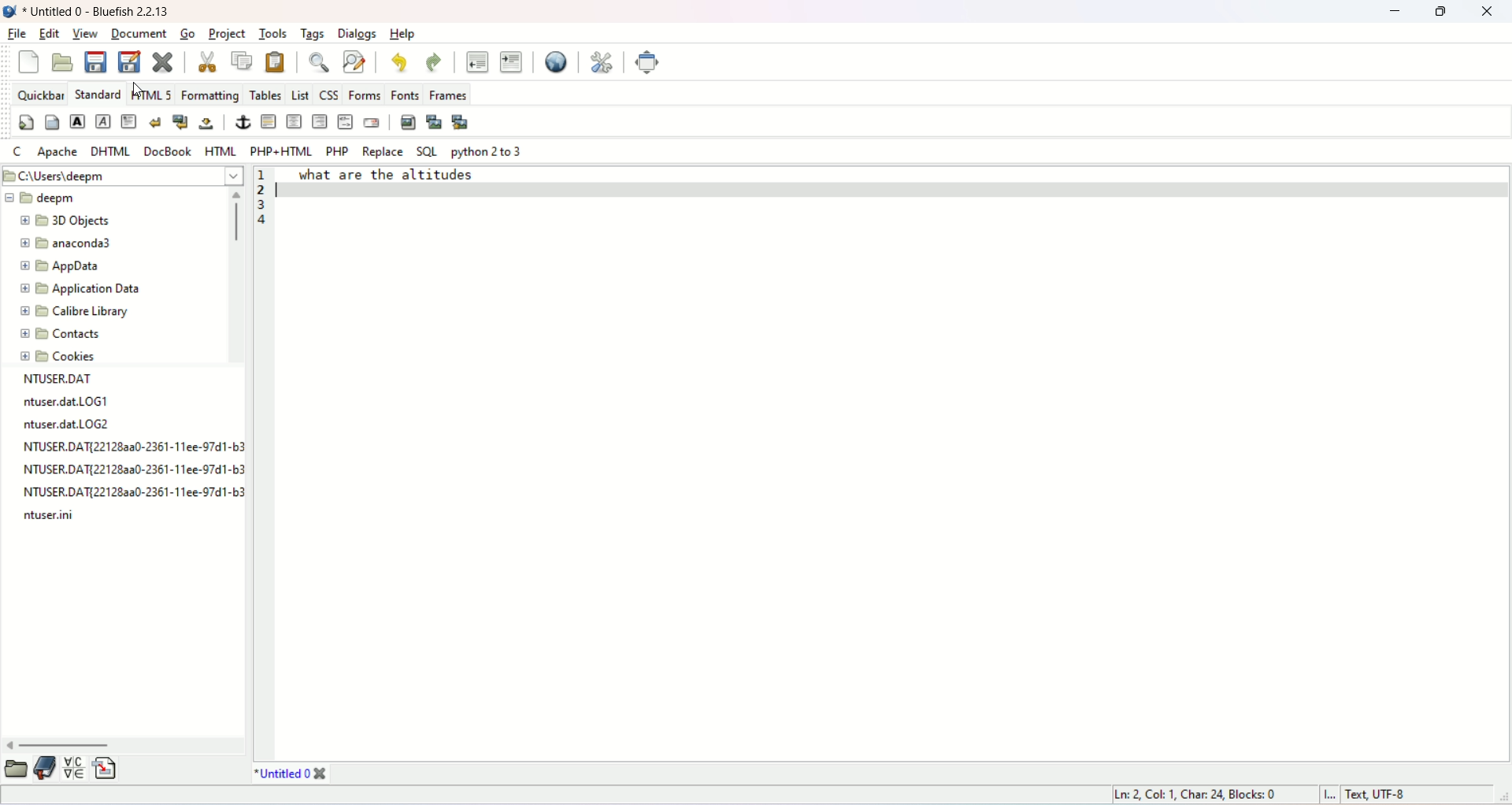  I want to click on close current file, so click(161, 62).